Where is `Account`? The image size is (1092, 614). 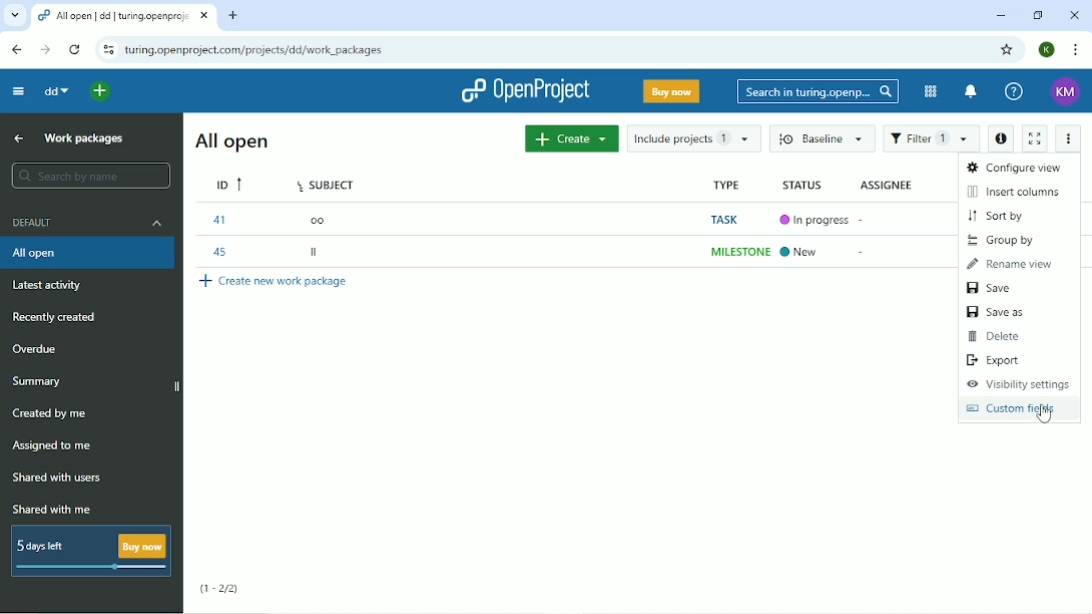 Account is located at coordinates (1049, 49).